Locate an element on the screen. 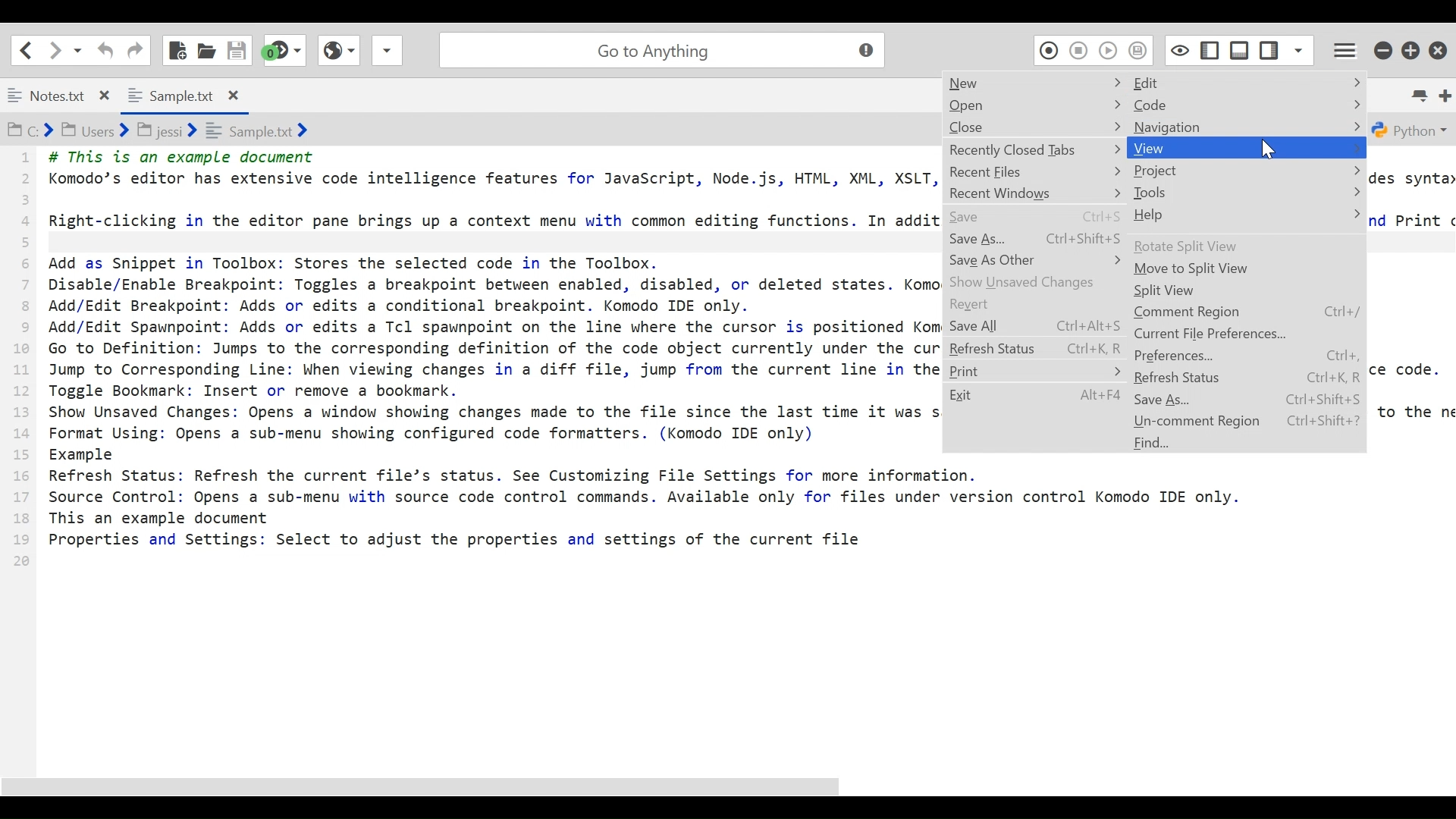  Split View is located at coordinates (1245, 291).